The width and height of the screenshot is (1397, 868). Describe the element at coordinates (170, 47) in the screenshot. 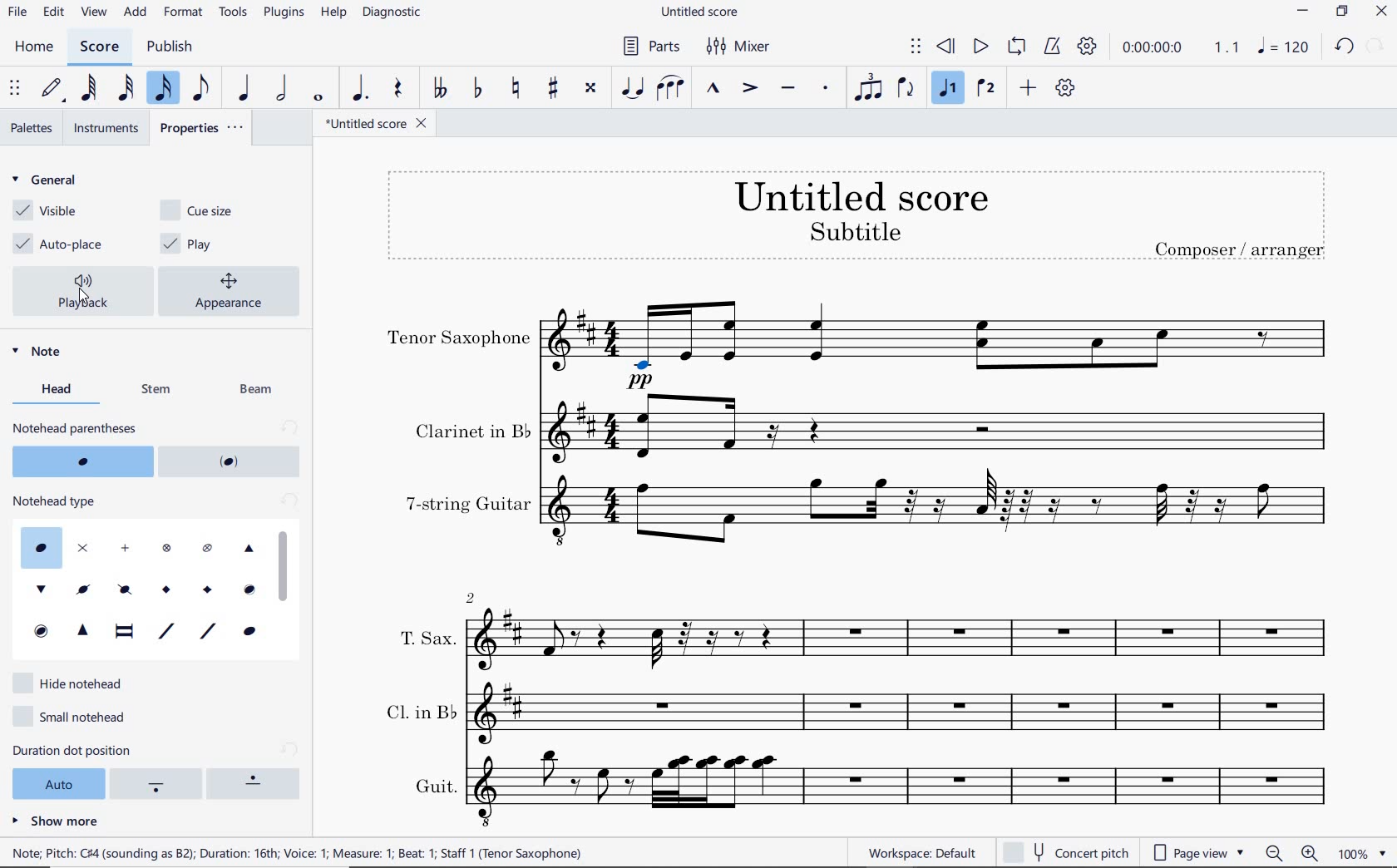

I see `PUBLISH` at that location.